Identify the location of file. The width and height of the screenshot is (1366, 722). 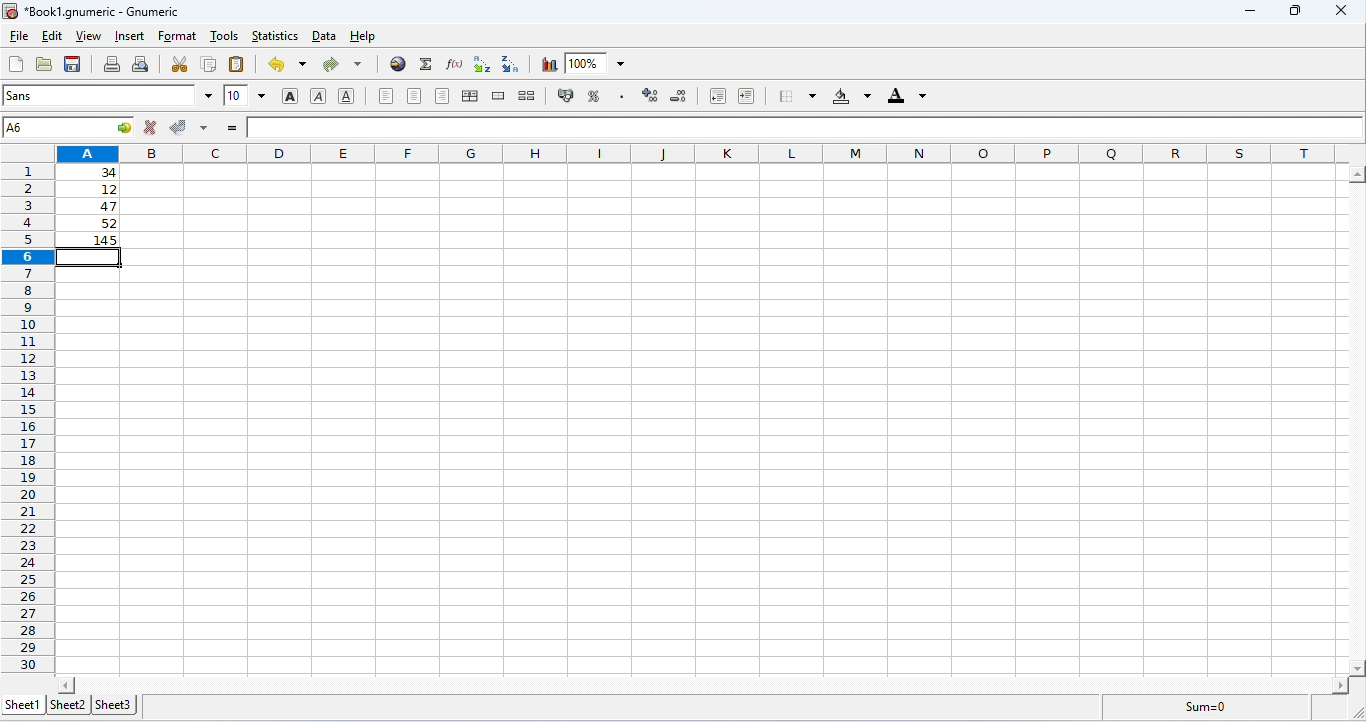
(18, 37).